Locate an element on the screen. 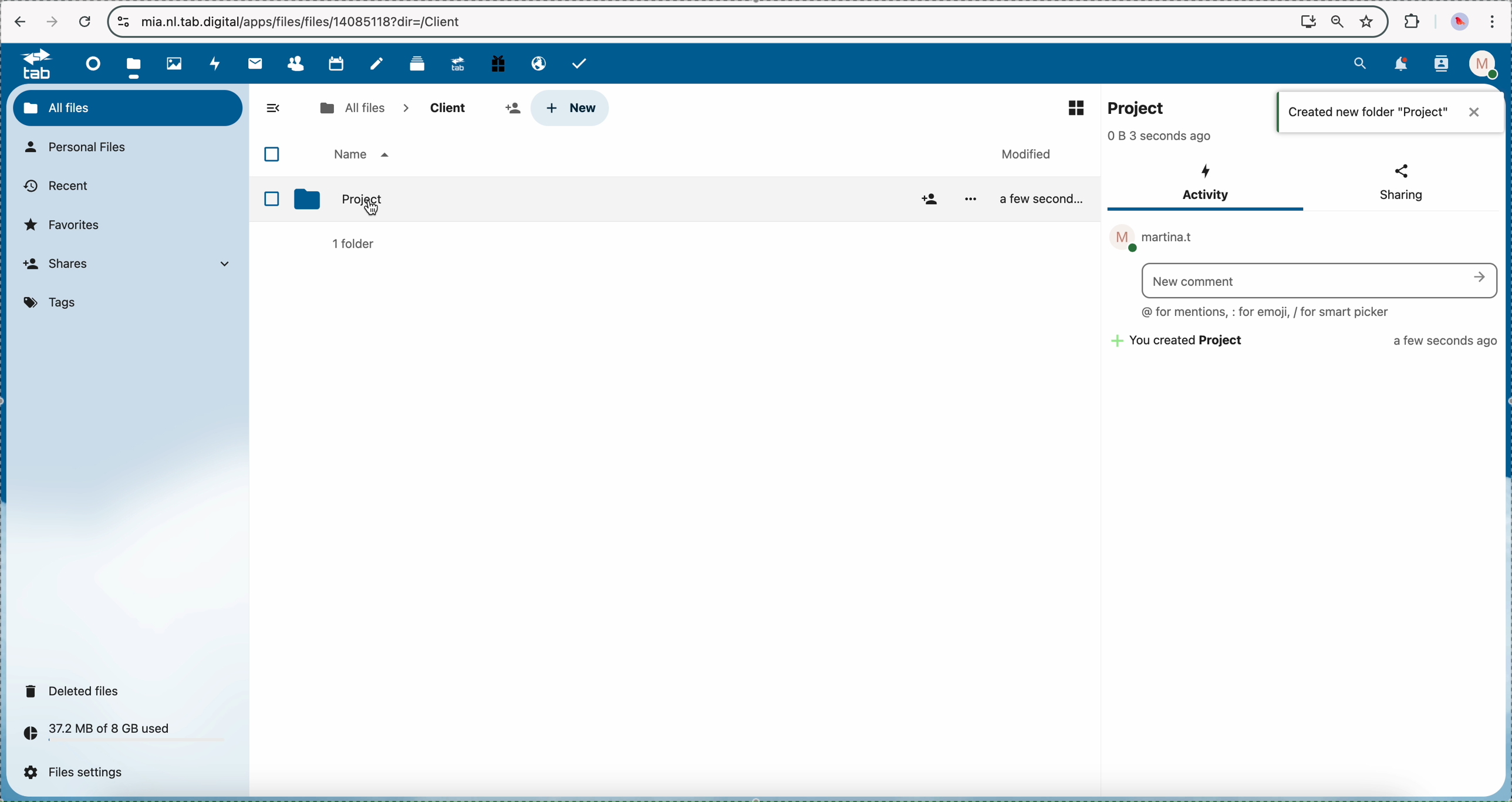 This screenshot has width=1512, height=802. activity is located at coordinates (217, 63).